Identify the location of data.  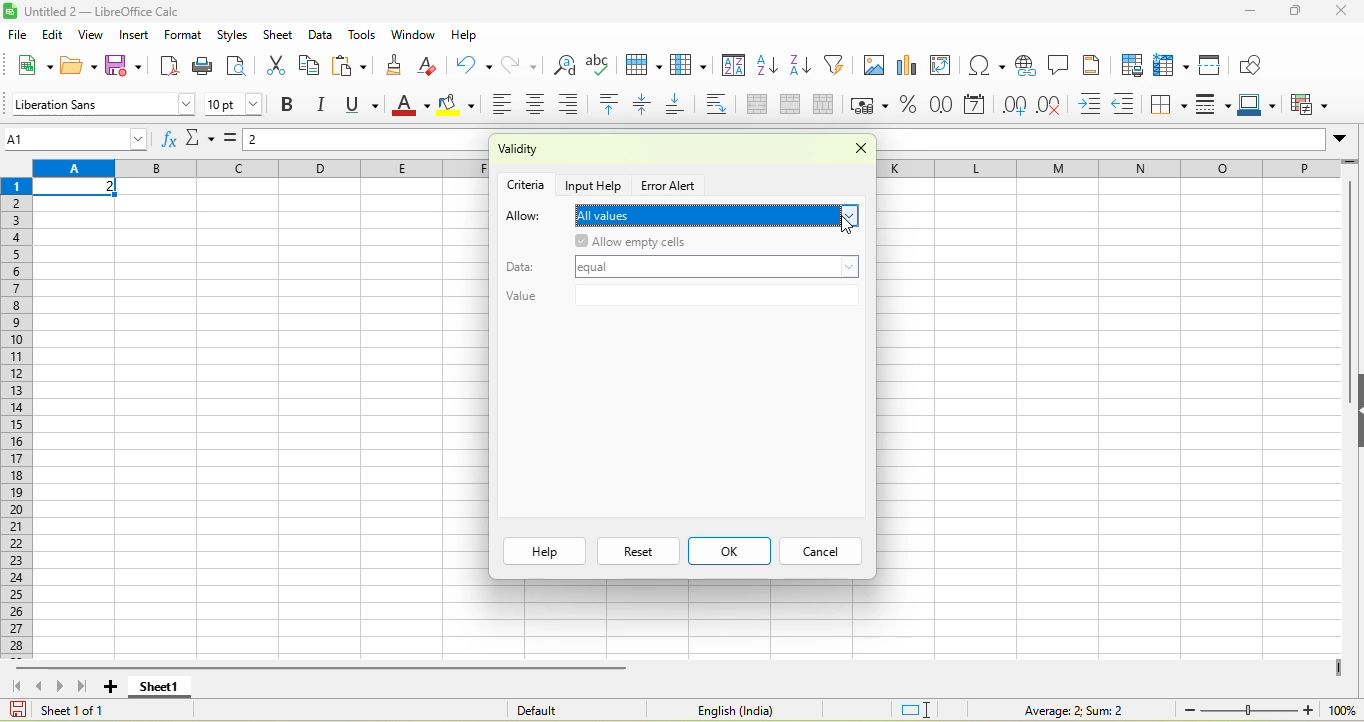
(321, 34).